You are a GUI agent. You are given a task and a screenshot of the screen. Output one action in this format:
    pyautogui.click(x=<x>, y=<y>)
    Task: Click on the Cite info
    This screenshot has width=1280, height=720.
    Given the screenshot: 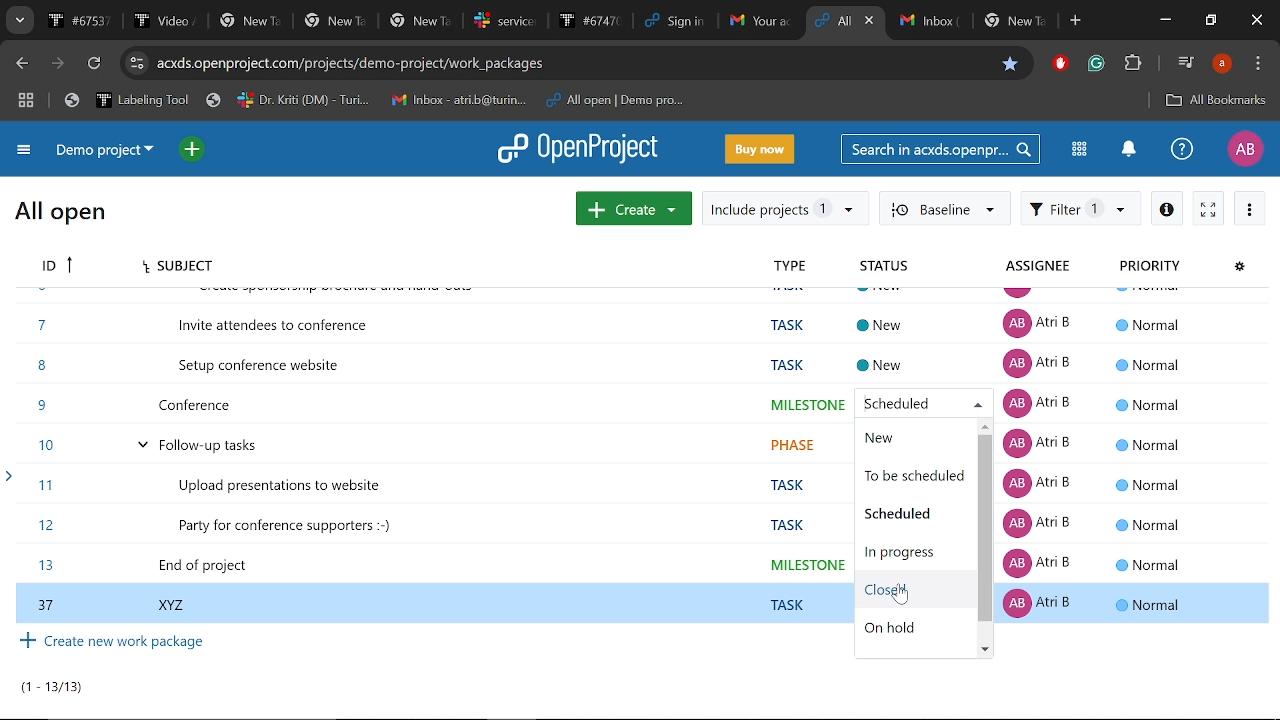 What is the action you would take?
    pyautogui.click(x=139, y=64)
    